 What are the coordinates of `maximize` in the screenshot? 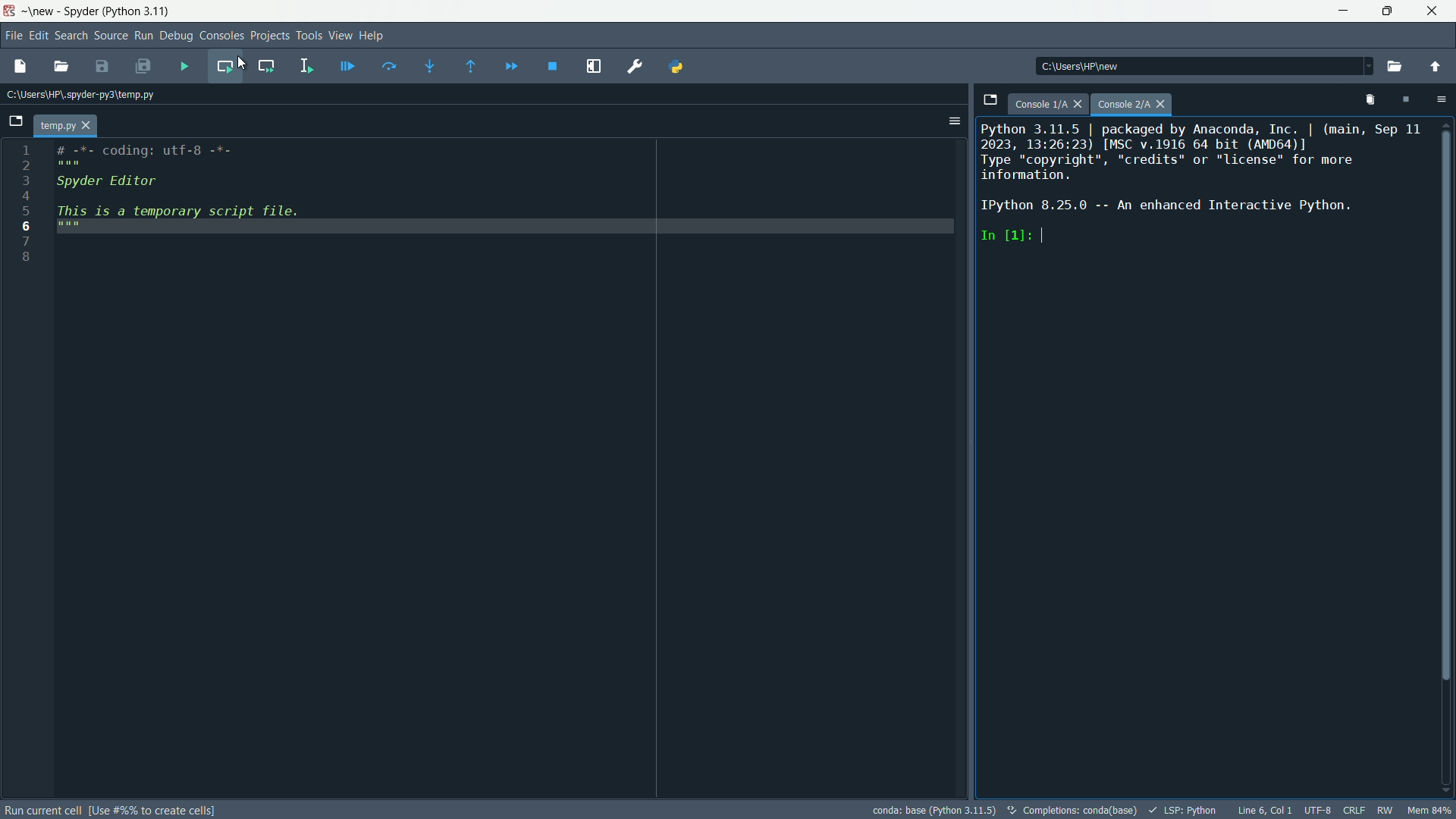 It's located at (1384, 12).